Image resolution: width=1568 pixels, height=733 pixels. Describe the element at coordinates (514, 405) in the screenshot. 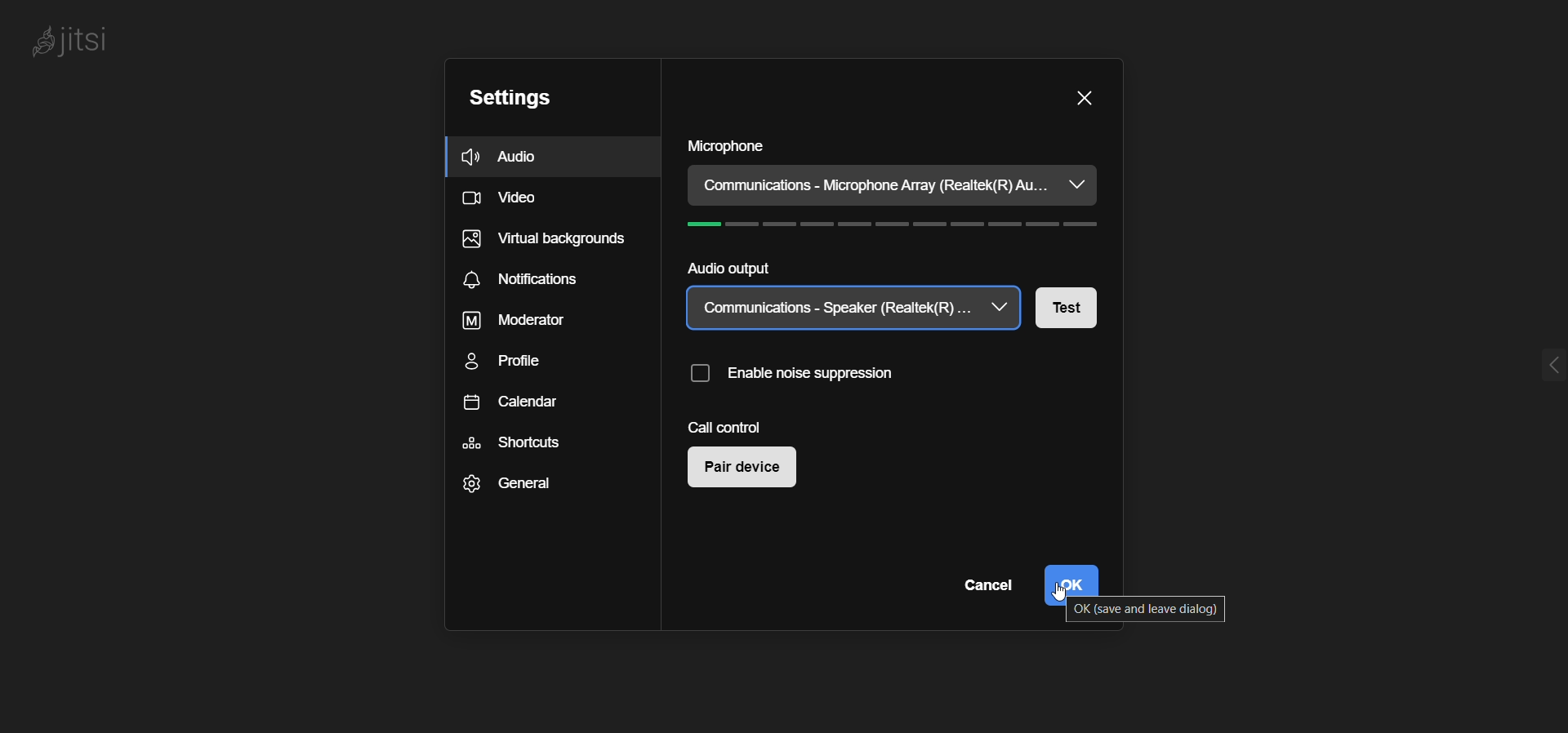

I see `calendar` at that location.